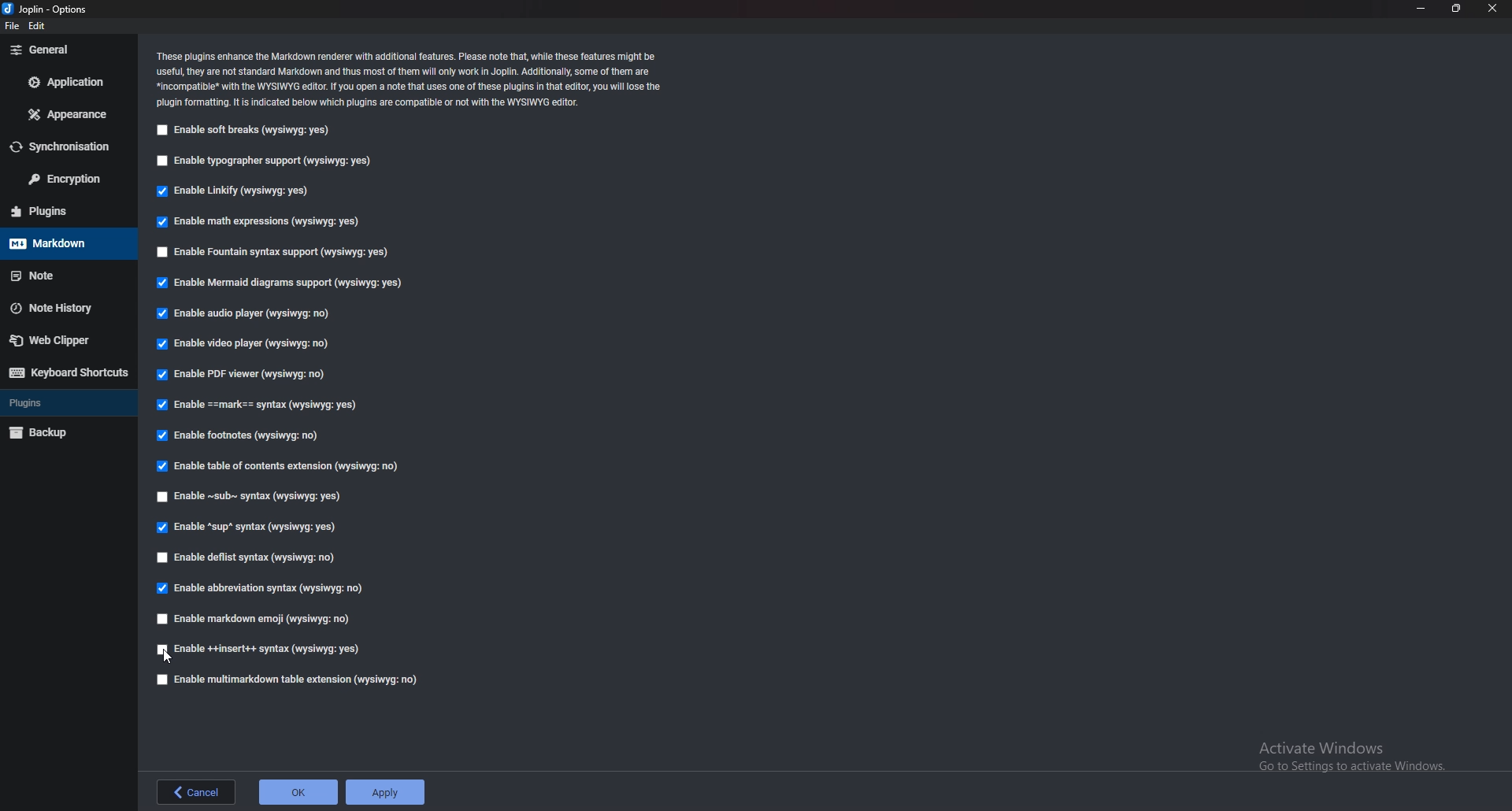 This screenshot has width=1512, height=811. I want to click on Enable video player (wysiwyg: no), so click(249, 343).